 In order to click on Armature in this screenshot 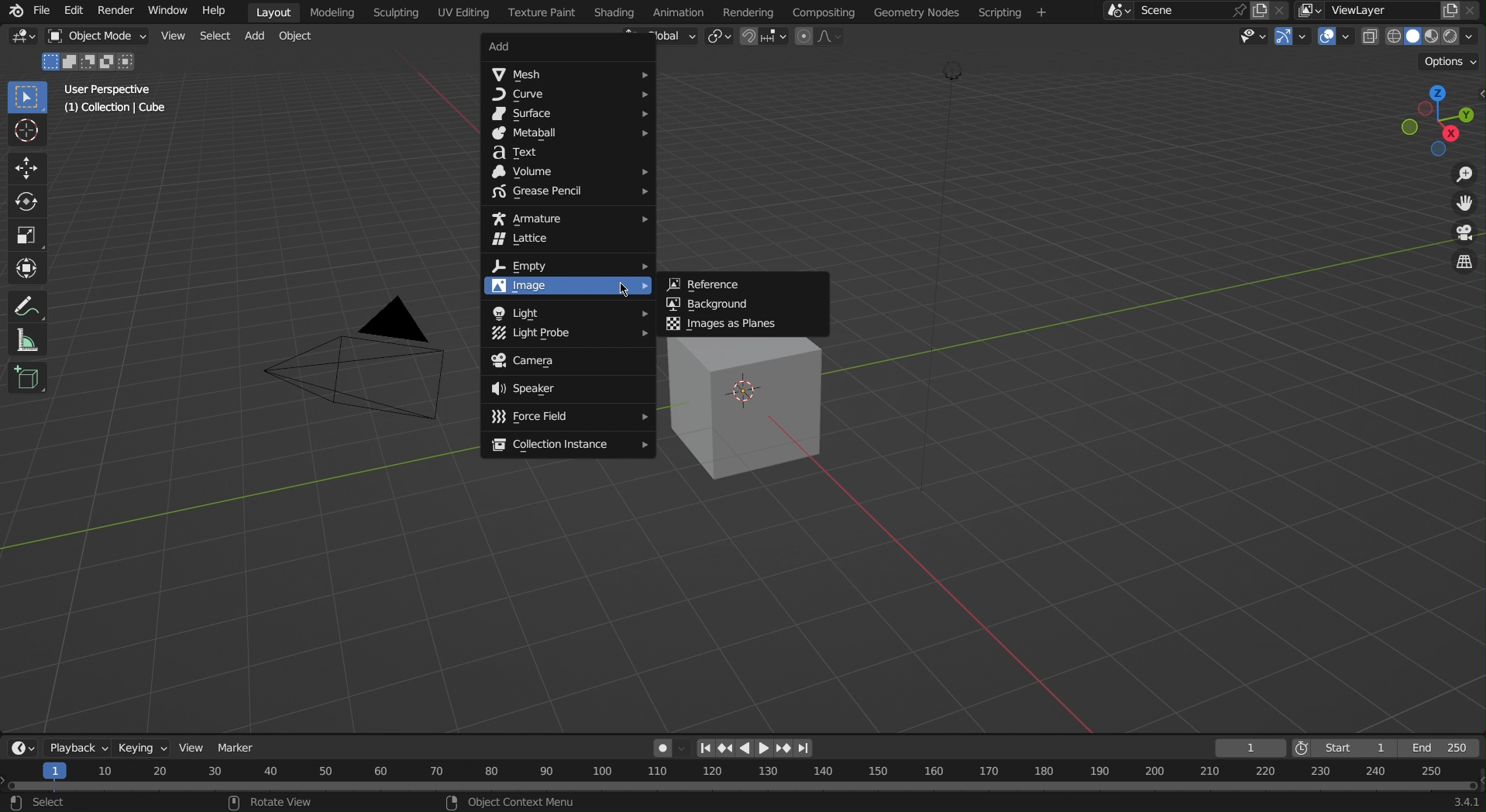, I will do `click(566, 215)`.